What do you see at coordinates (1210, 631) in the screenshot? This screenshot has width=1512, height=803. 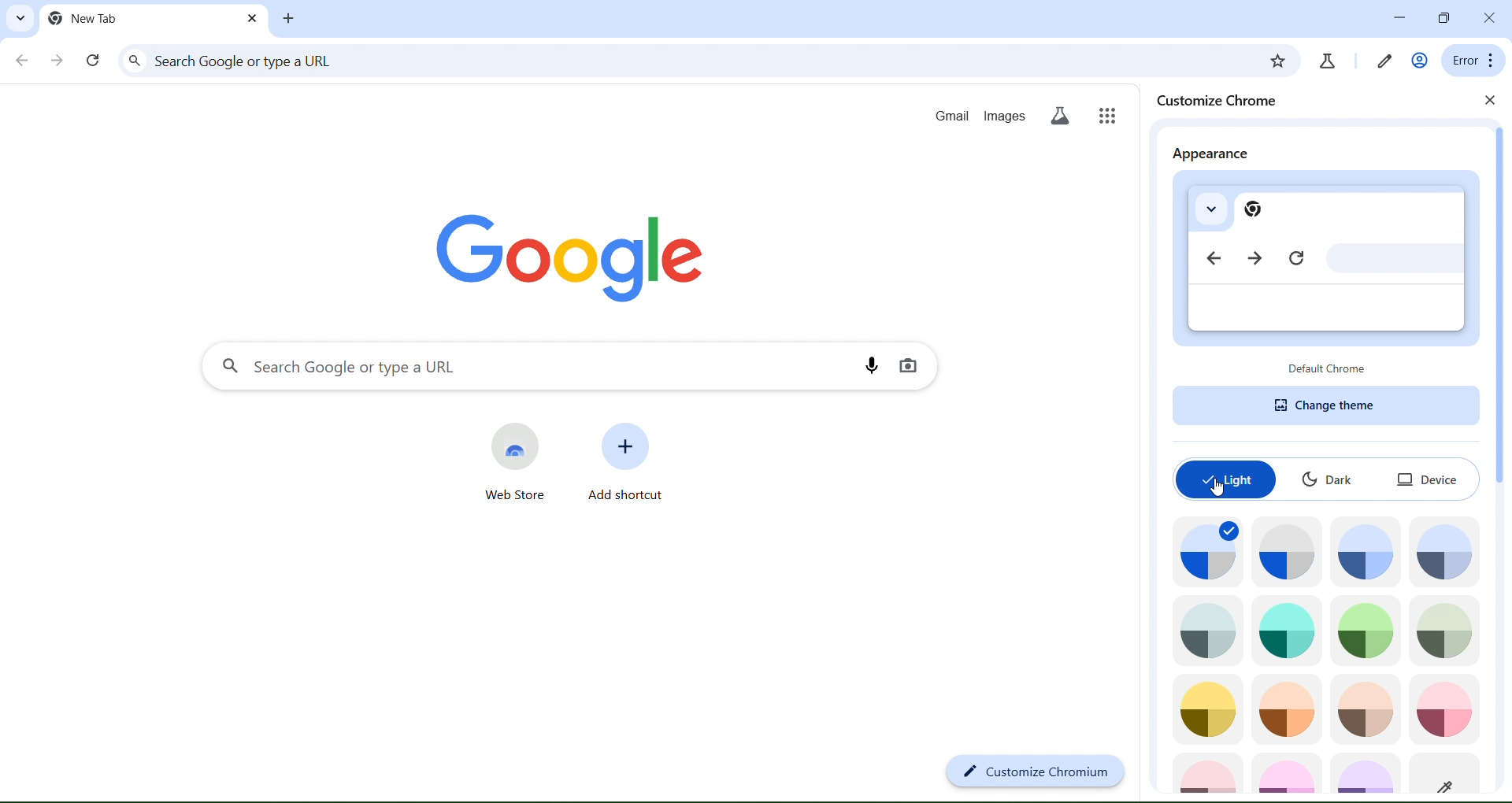 I see `image` at bounding box center [1210, 631].